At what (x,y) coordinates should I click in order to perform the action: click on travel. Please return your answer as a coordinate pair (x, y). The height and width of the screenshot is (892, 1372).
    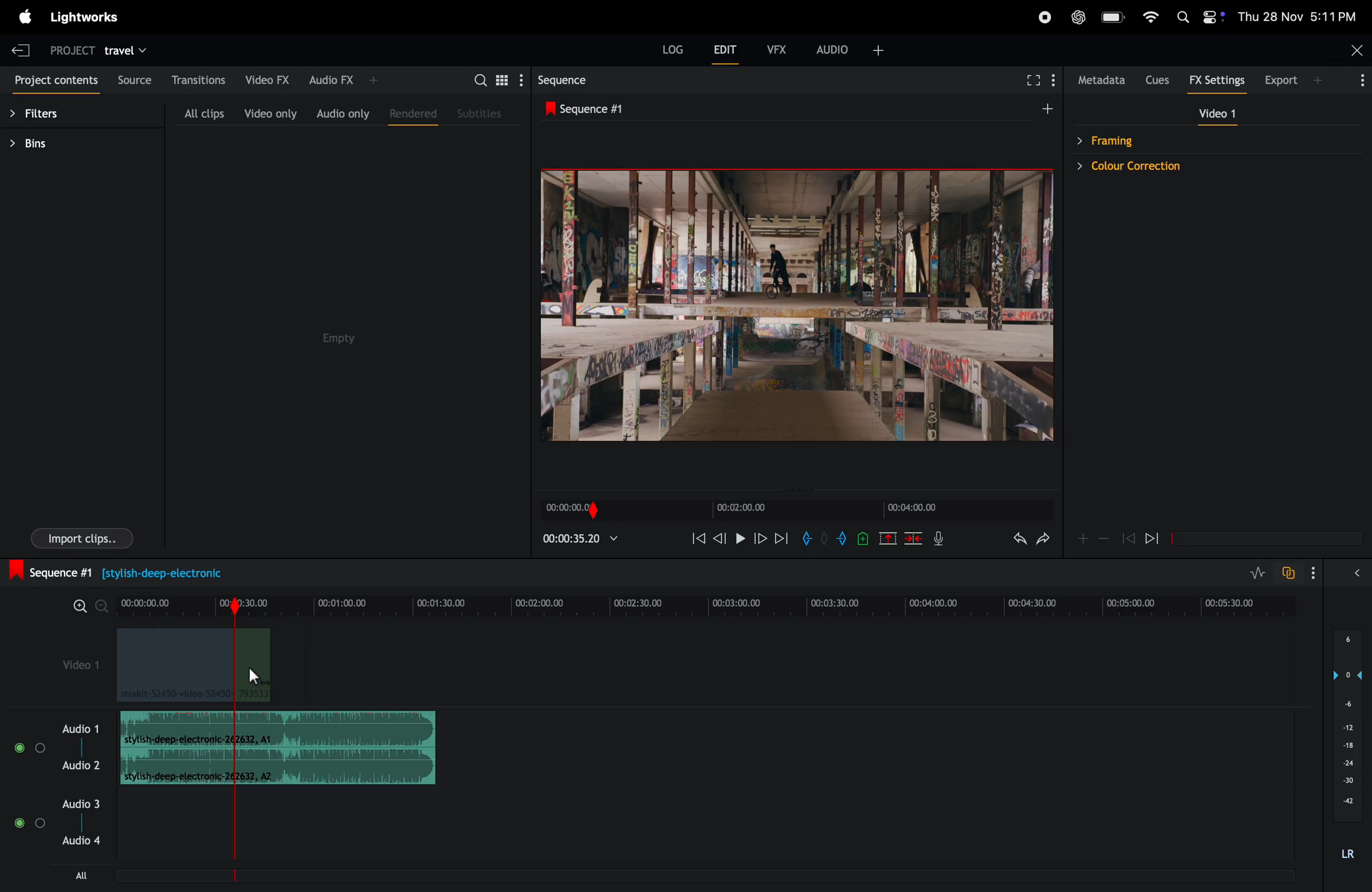
    Looking at the image, I should click on (137, 50).